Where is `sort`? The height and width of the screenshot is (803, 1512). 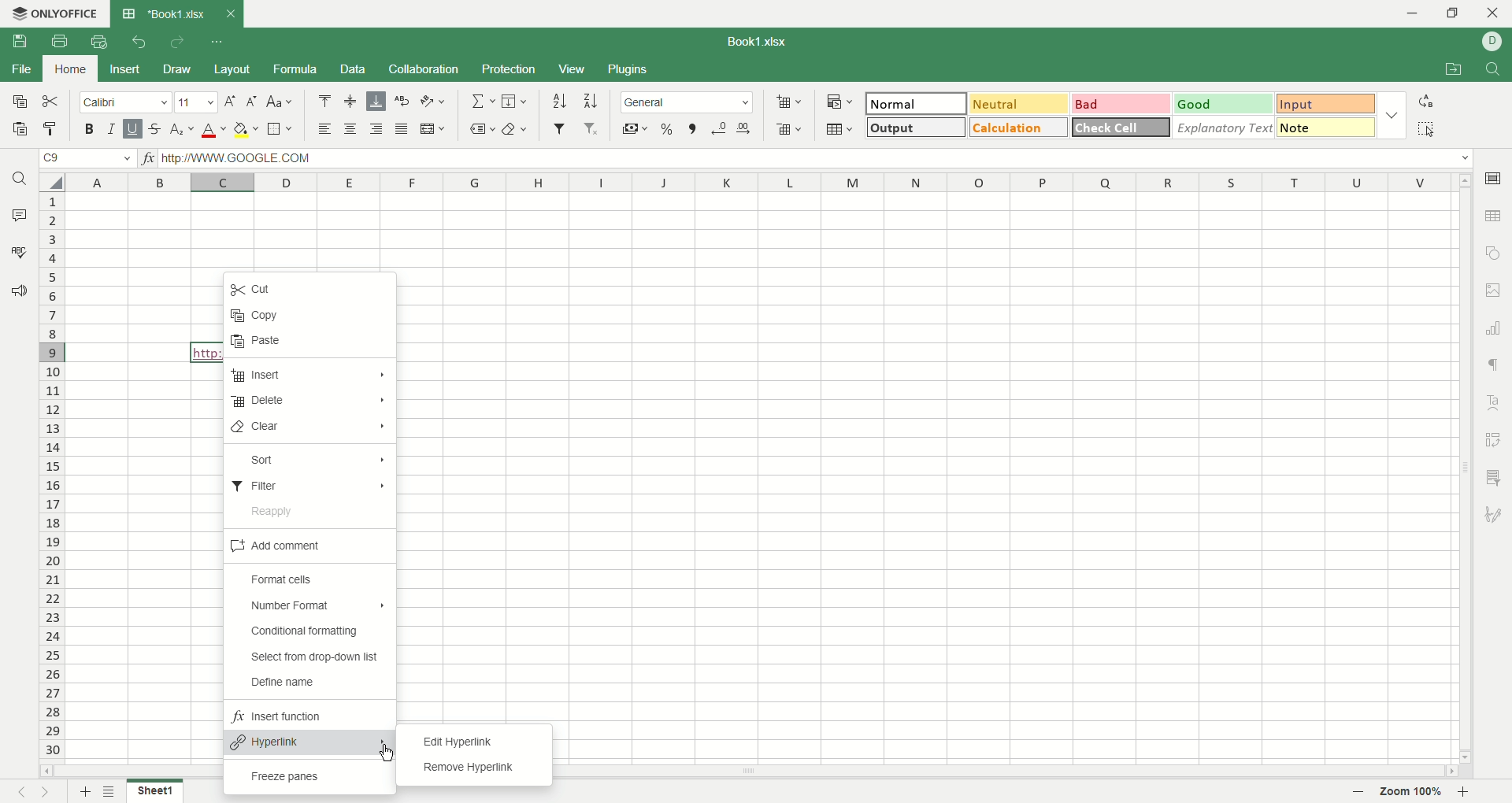 sort is located at coordinates (310, 461).